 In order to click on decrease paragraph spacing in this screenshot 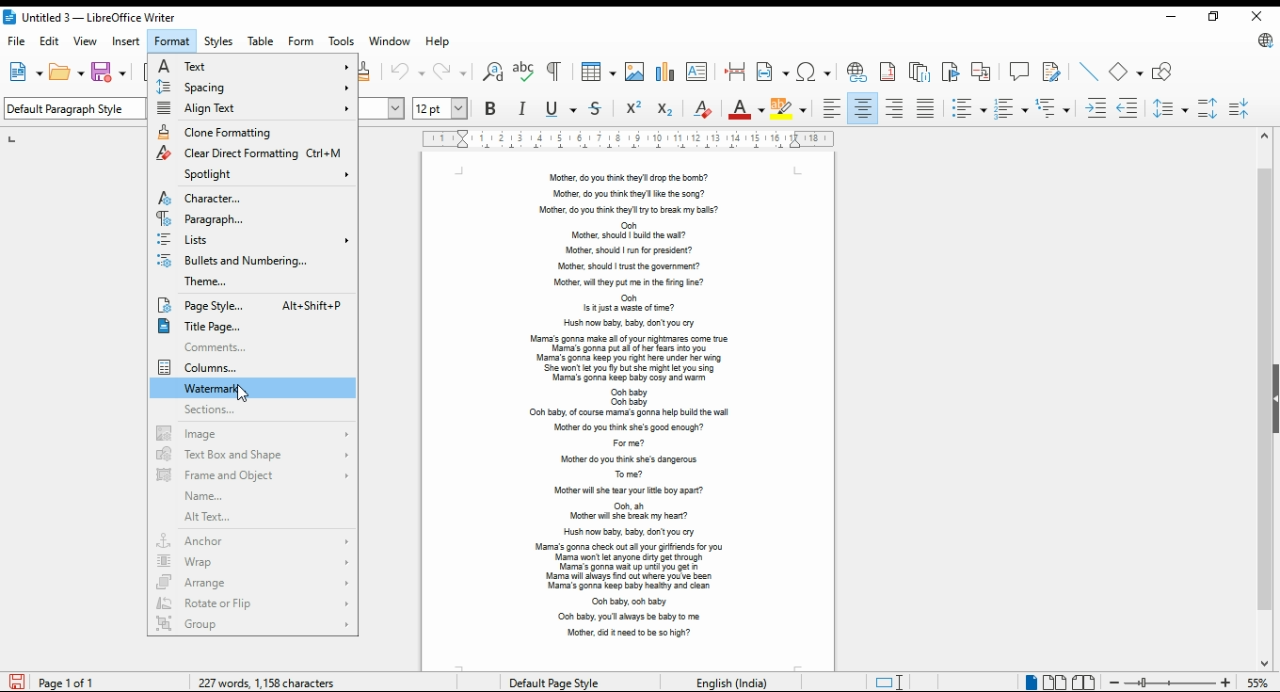, I will do `click(1244, 108)`.